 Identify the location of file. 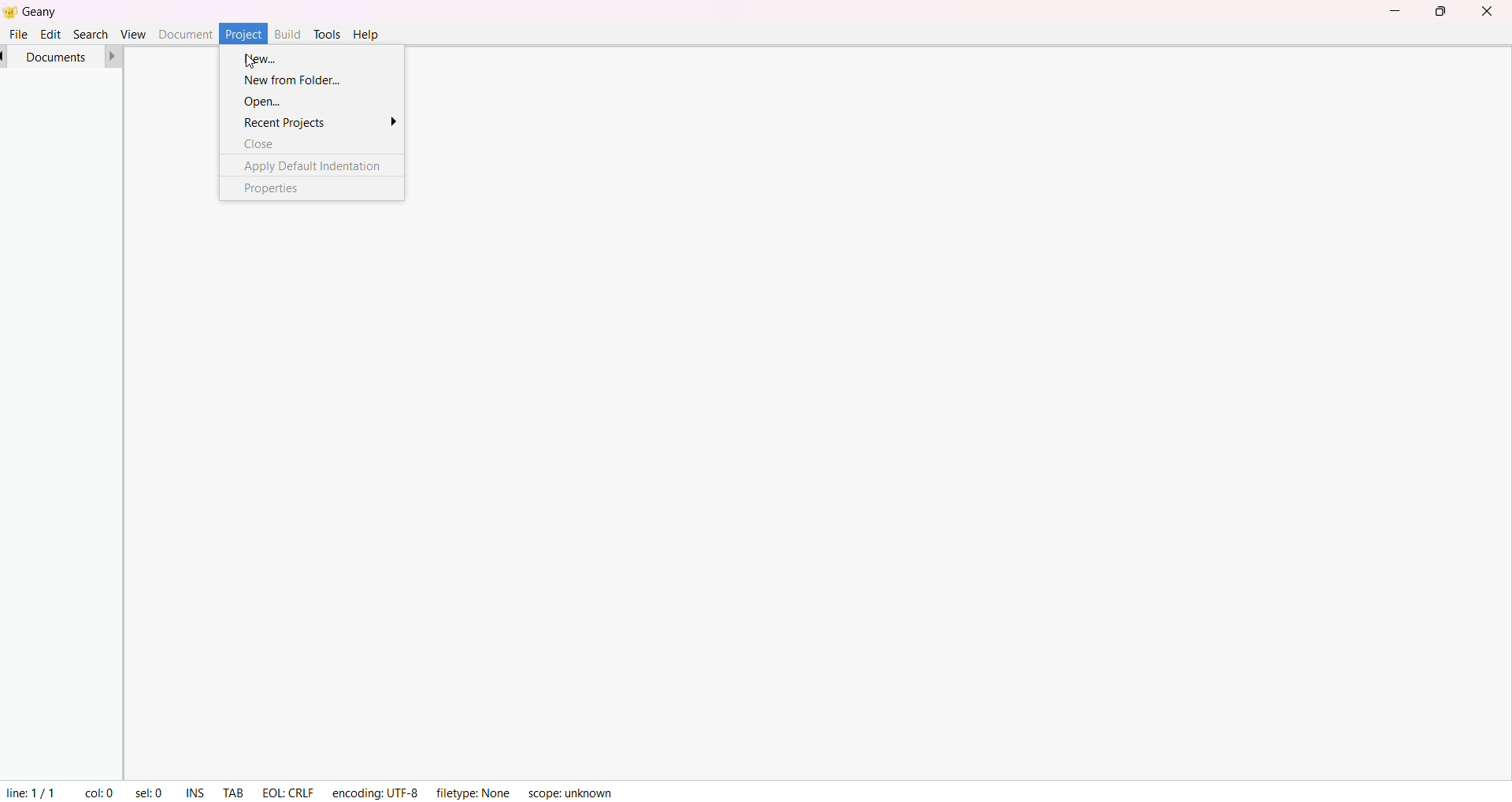
(19, 34).